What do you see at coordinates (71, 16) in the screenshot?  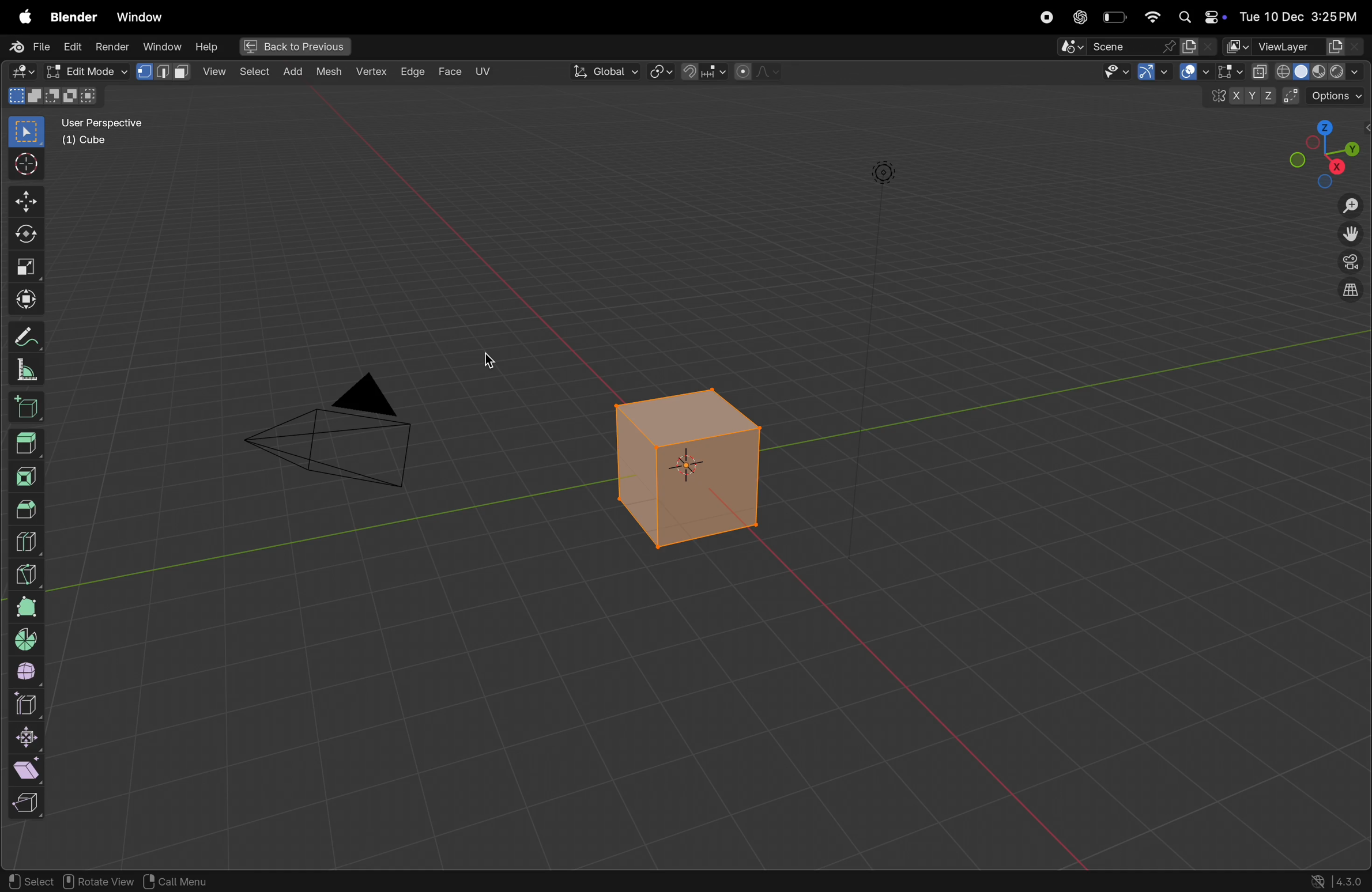 I see `Blender` at bounding box center [71, 16].